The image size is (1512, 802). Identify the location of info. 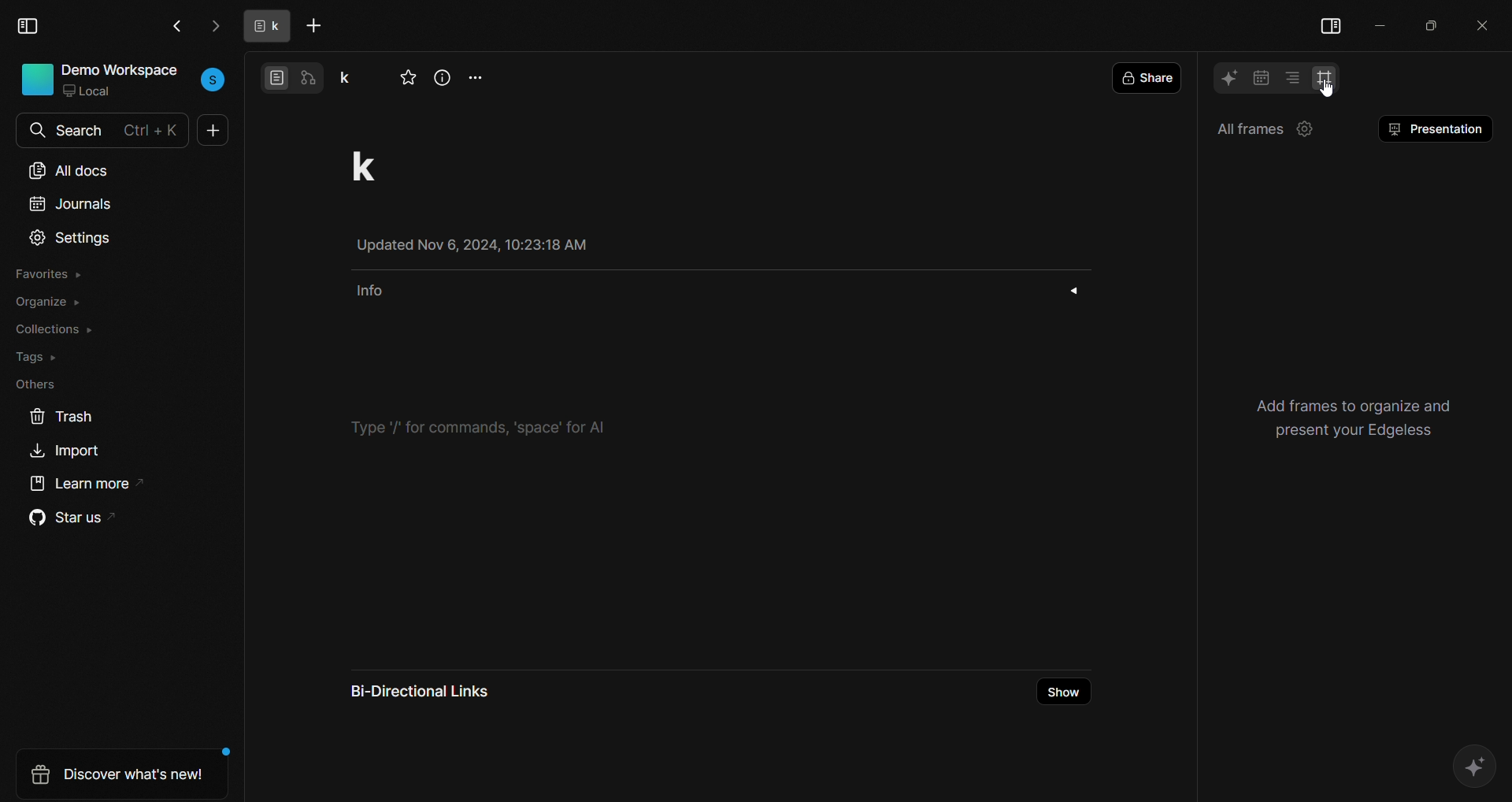
(714, 290).